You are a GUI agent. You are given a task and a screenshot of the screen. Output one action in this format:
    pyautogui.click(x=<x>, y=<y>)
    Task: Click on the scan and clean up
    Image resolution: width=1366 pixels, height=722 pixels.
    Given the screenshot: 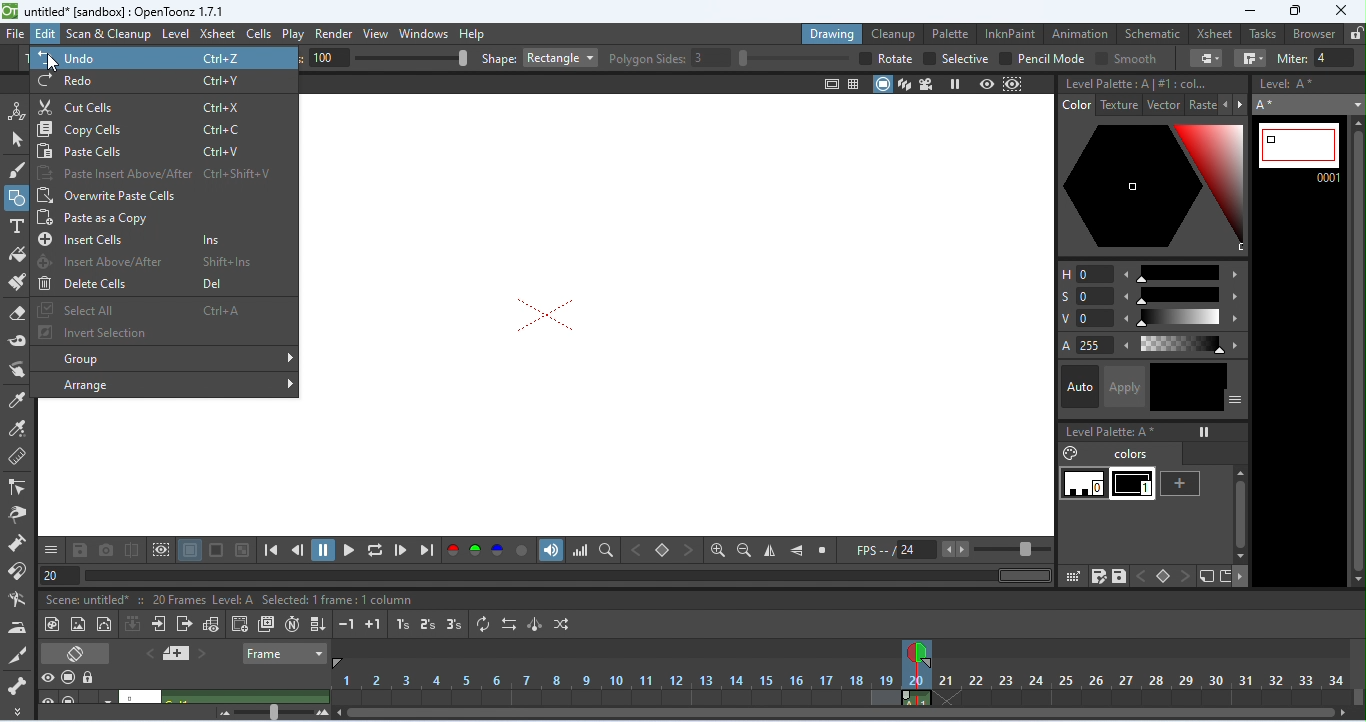 What is the action you would take?
    pyautogui.click(x=107, y=35)
    